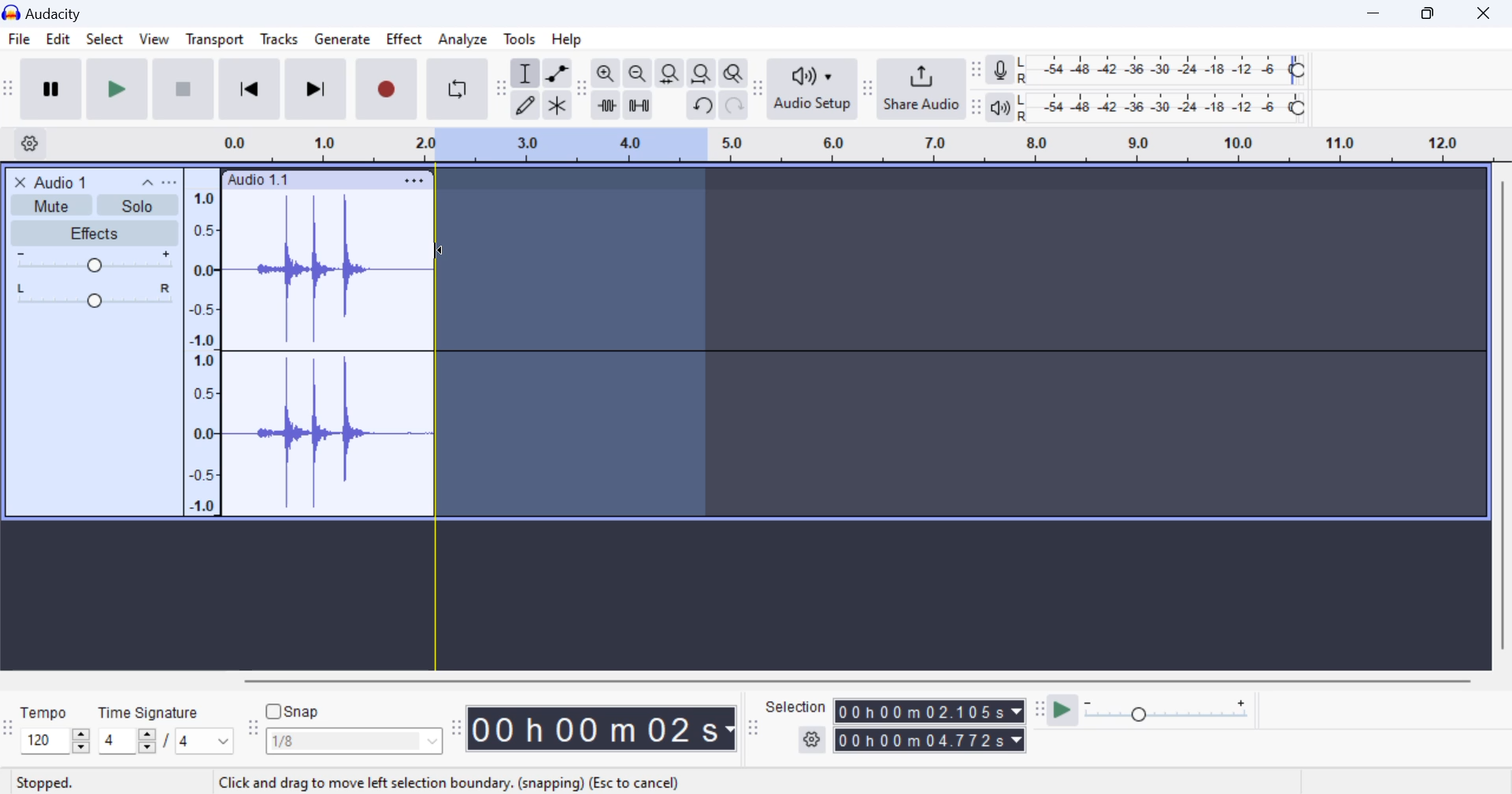 This screenshot has width=1512, height=794. Describe the element at coordinates (205, 742) in the screenshot. I see `Max time signature options` at that location.